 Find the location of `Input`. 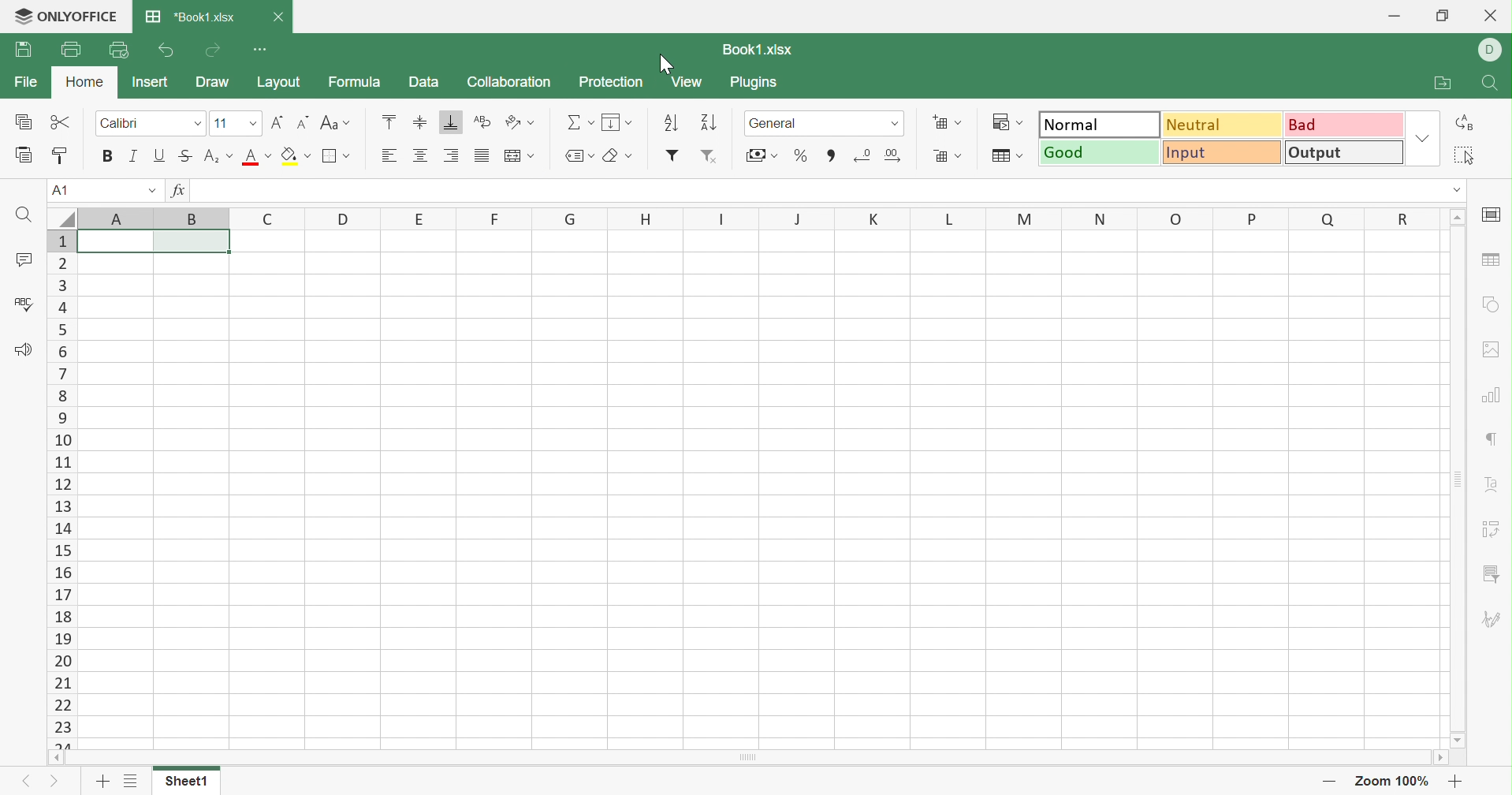

Input is located at coordinates (1223, 151).